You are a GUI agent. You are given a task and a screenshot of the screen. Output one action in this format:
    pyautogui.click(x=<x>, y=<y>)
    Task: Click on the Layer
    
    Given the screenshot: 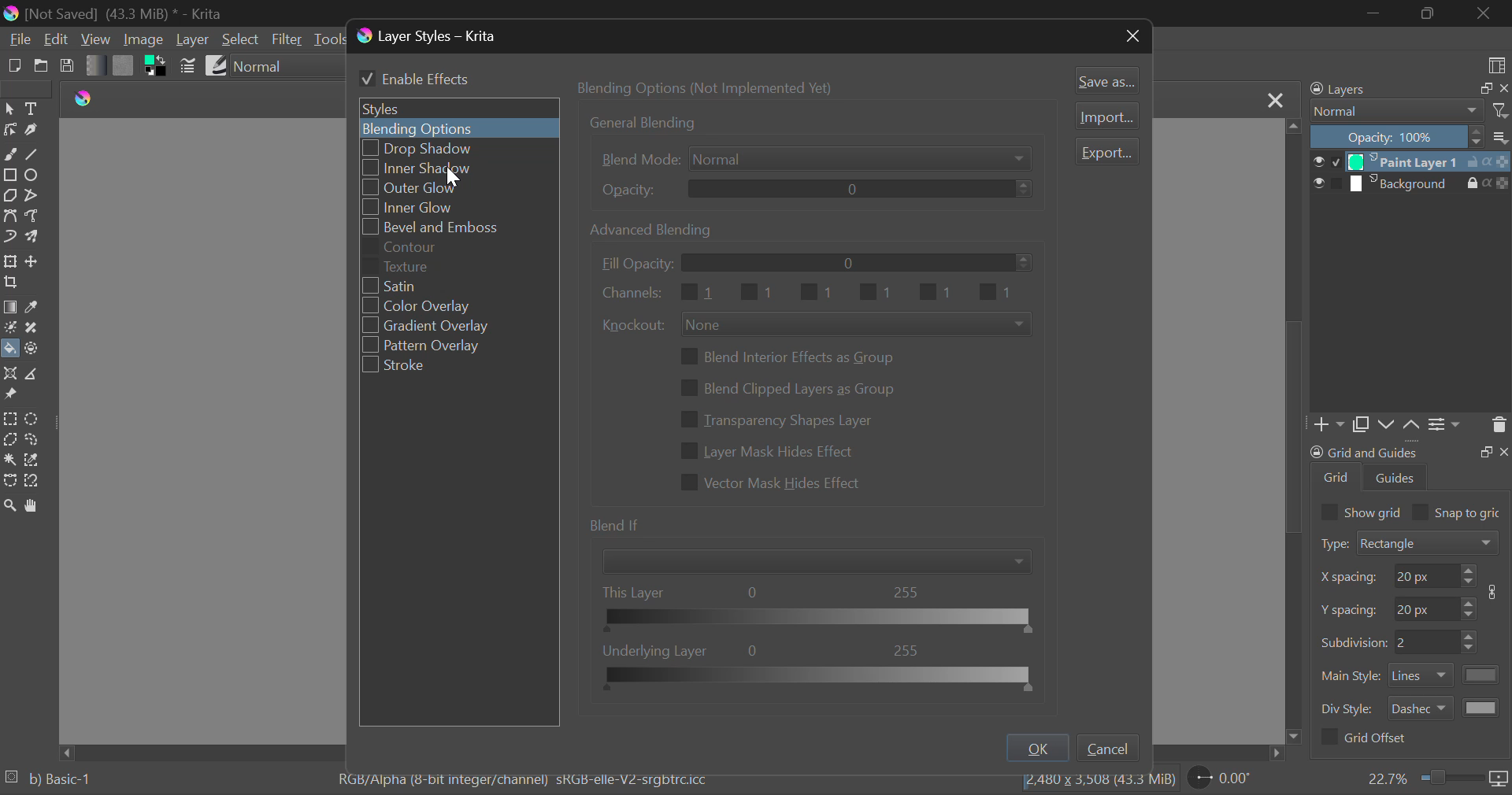 What is the action you would take?
    pyautogui.click(x=193, y=41)
    